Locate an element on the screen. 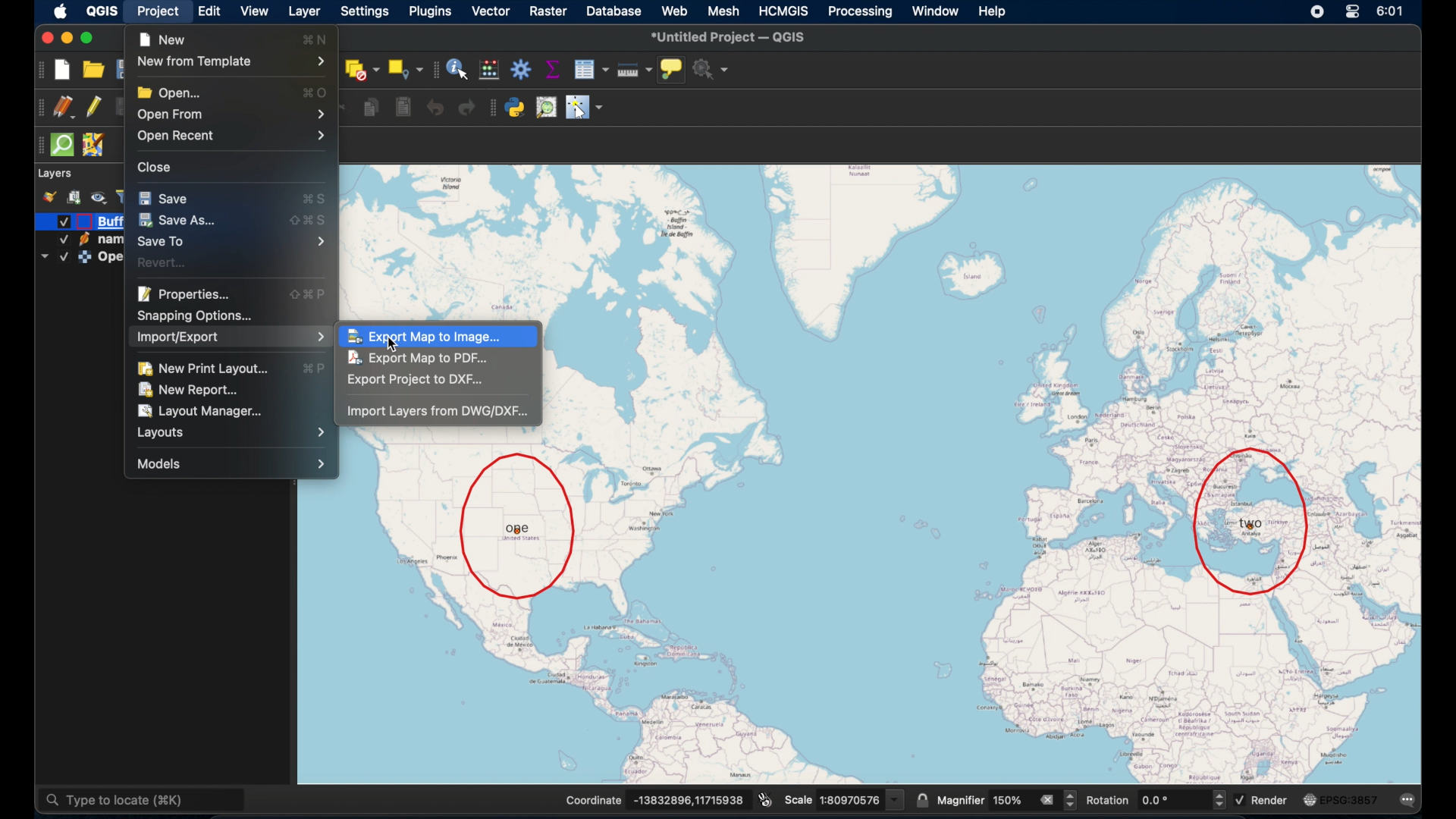 This screenshot has width=1456, height=819. quicksom is located at coordinates (62, 146).